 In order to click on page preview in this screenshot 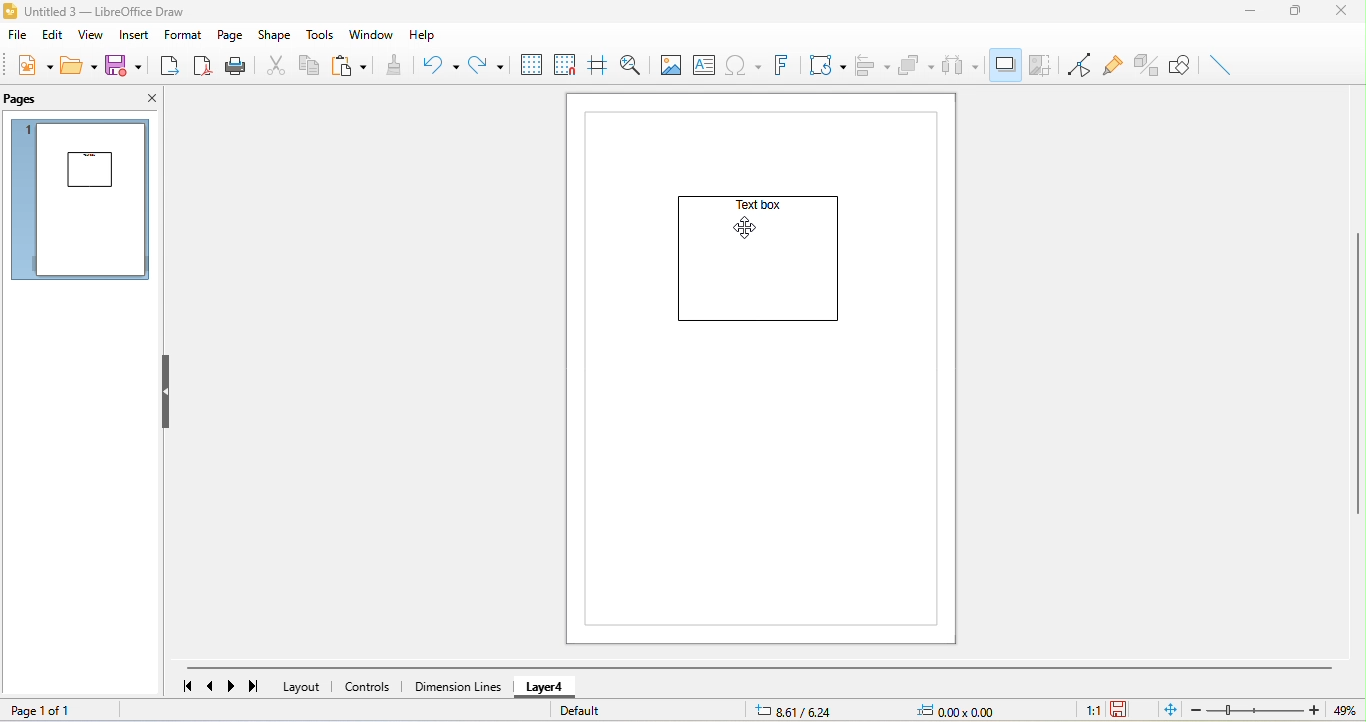, I will do `click(83, 202)`.